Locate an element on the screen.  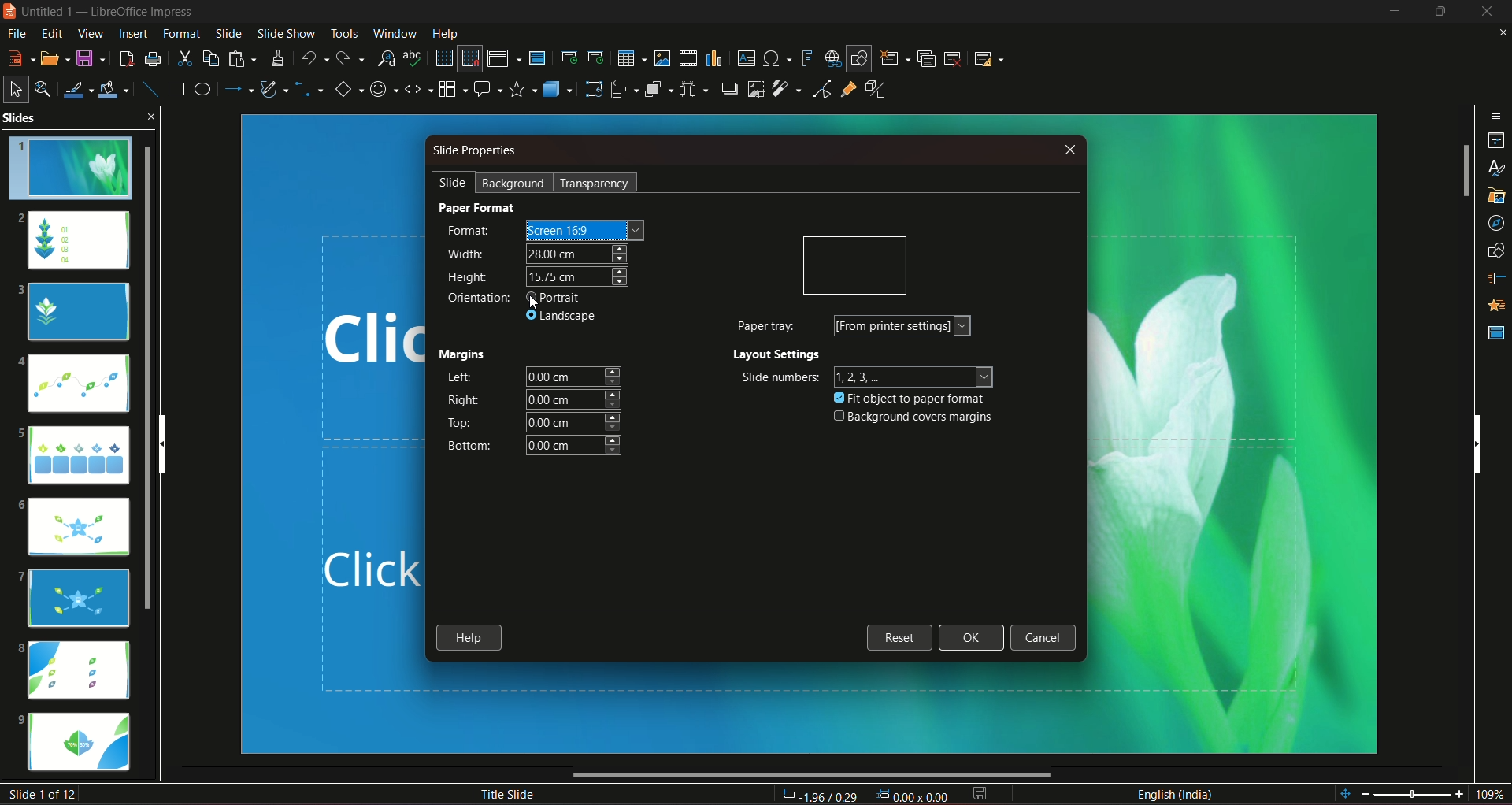
fit object to paper format is located at coordinates (911, 397).